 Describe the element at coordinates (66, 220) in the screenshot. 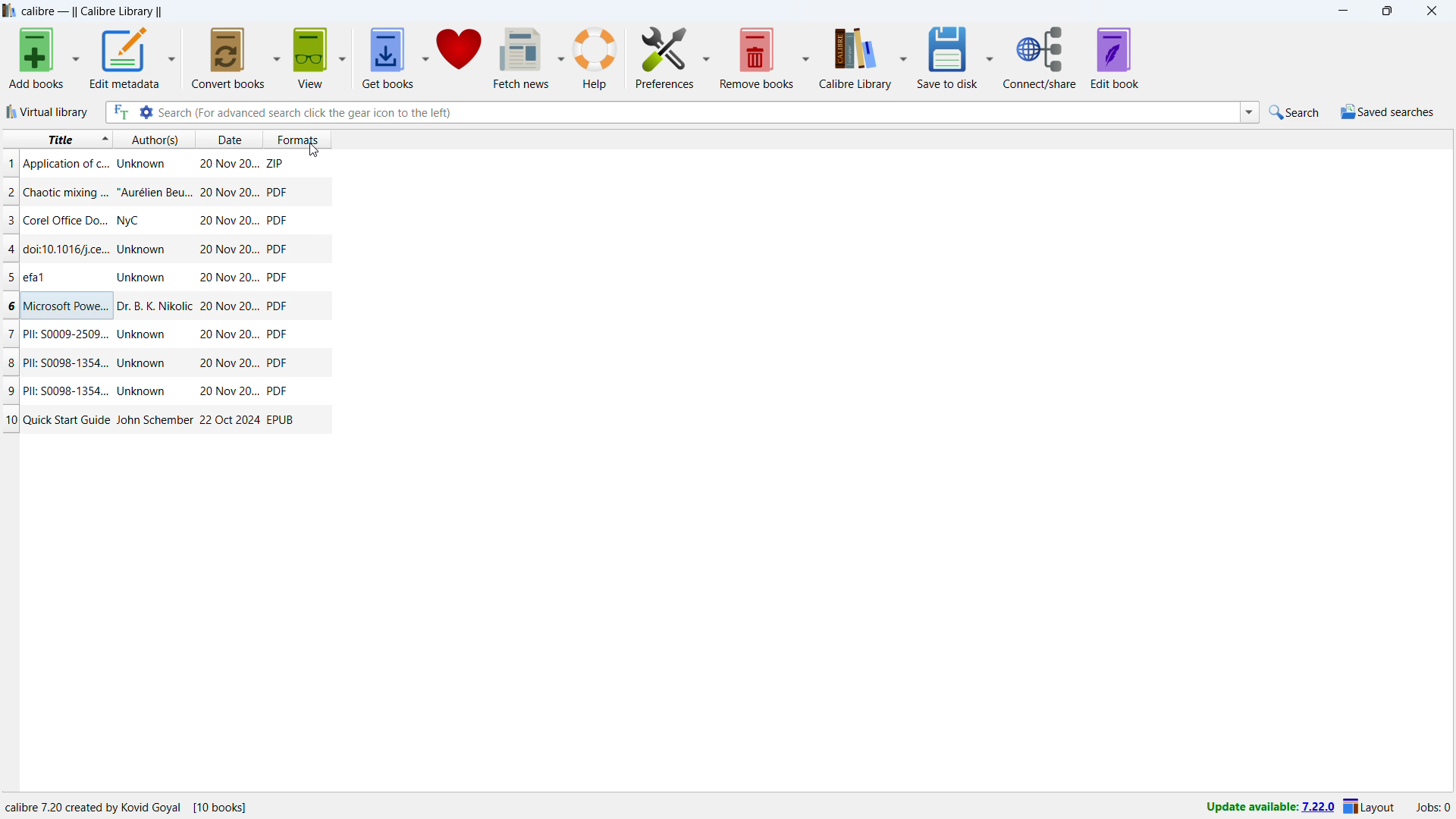

I see `title` at that location.